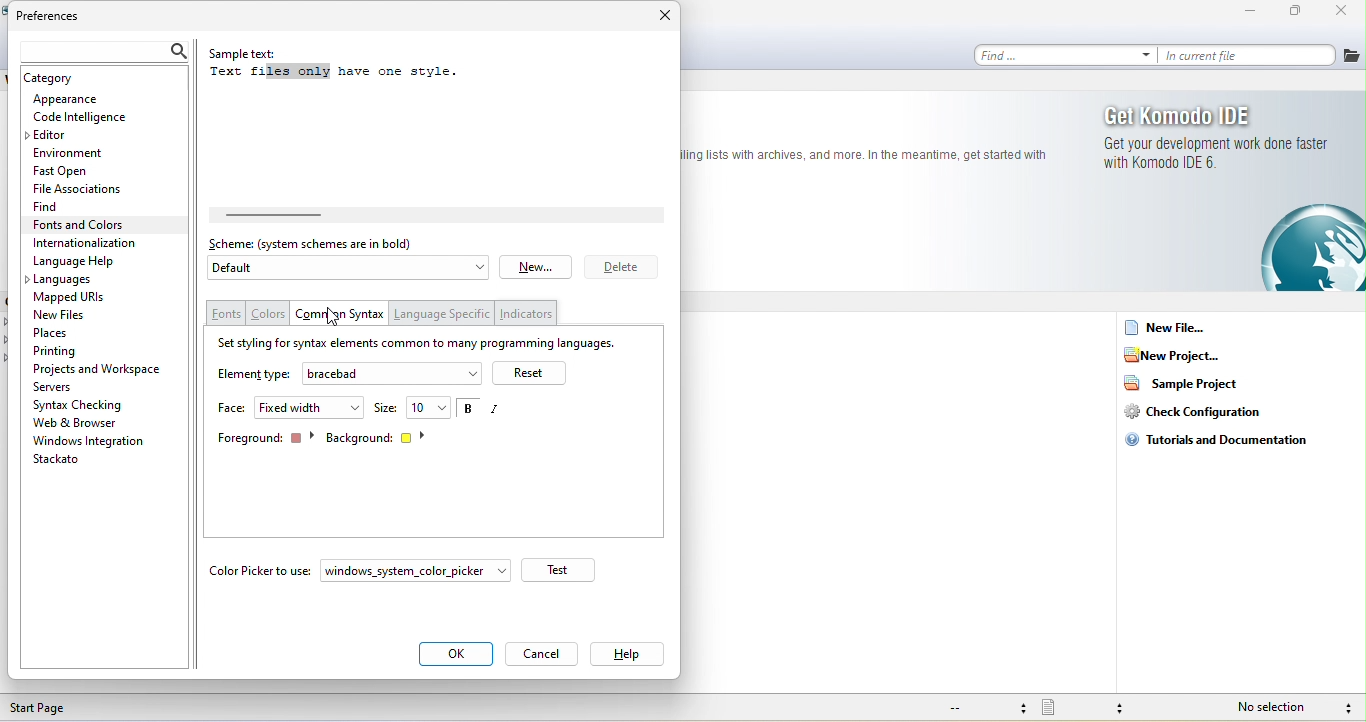 The height and width of the screenshot is (722, 1366). I want to click on projects and workspace, so click(101, 369).